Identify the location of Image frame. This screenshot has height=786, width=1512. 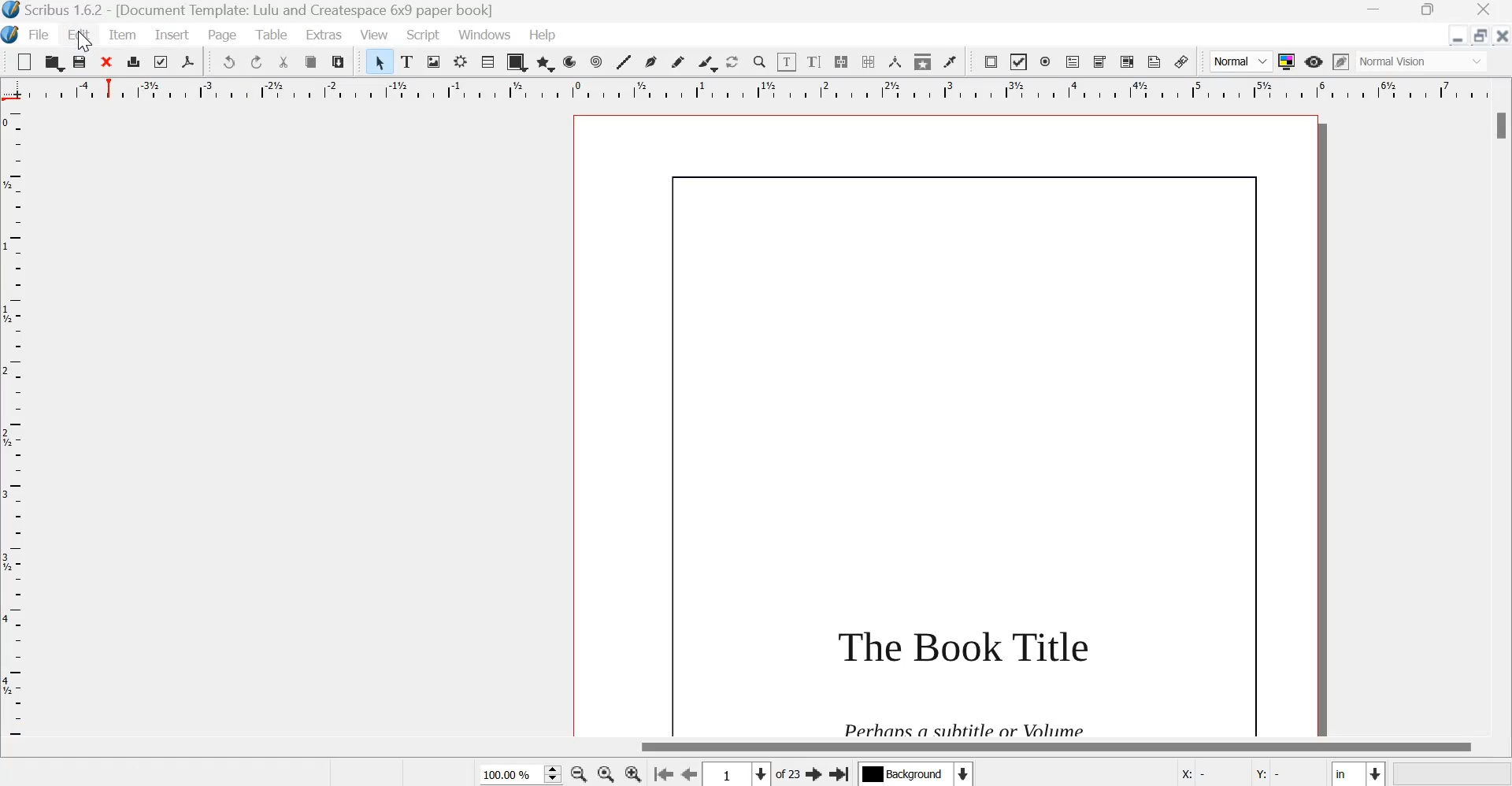
(434, 63).